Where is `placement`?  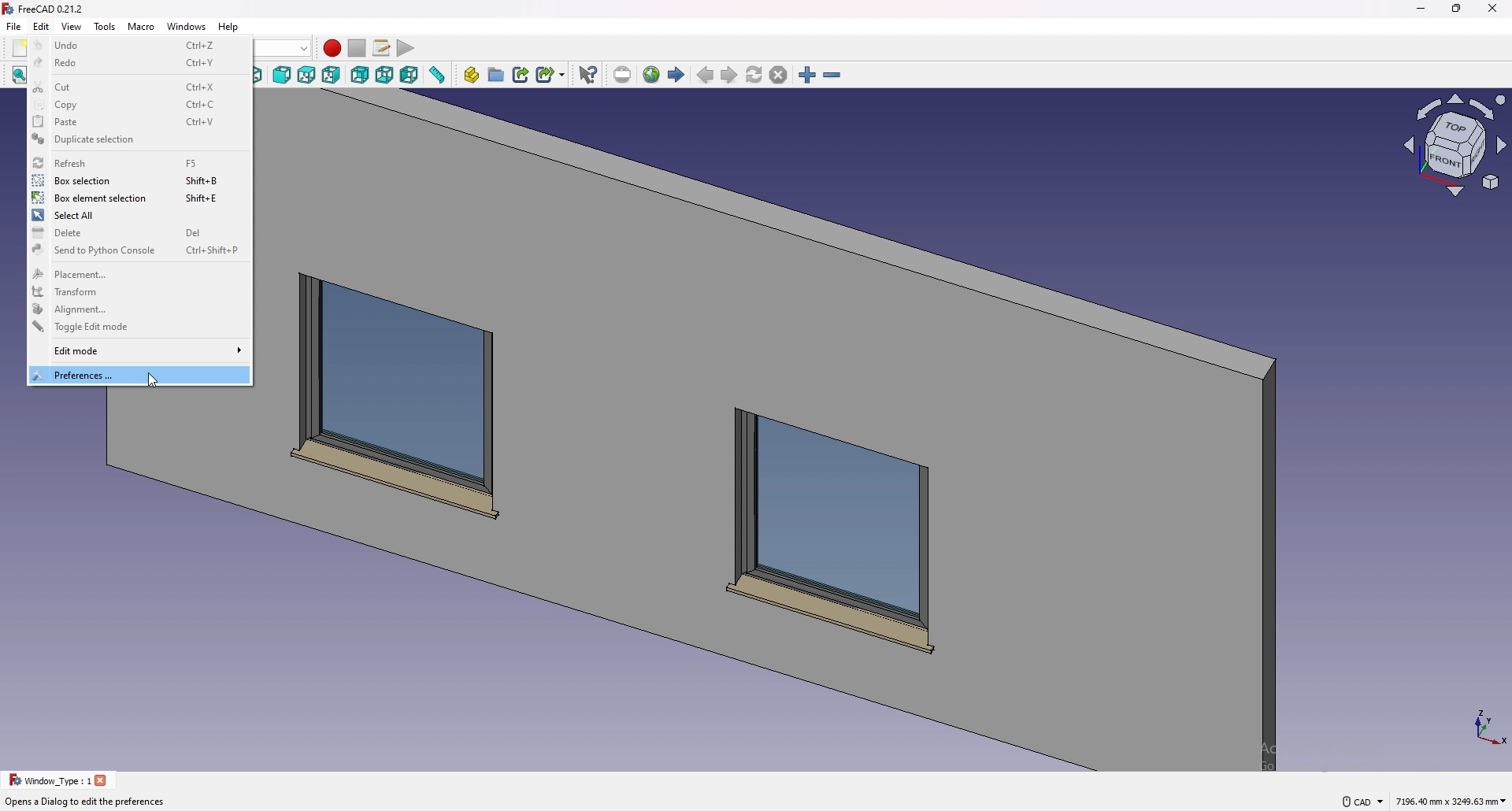 placement is located at coordinates (138, 273).